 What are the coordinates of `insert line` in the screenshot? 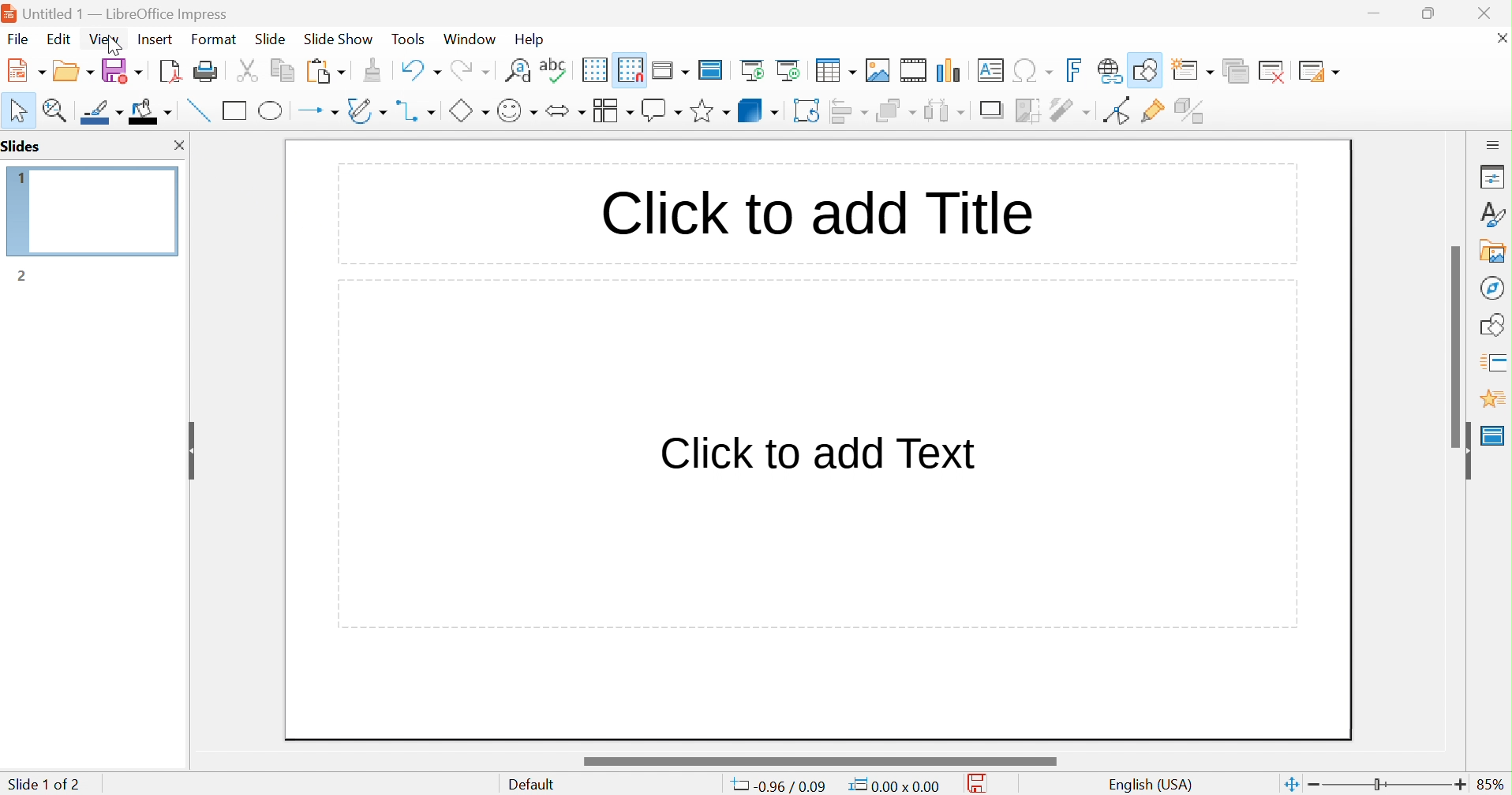 It's located at (196, 110).